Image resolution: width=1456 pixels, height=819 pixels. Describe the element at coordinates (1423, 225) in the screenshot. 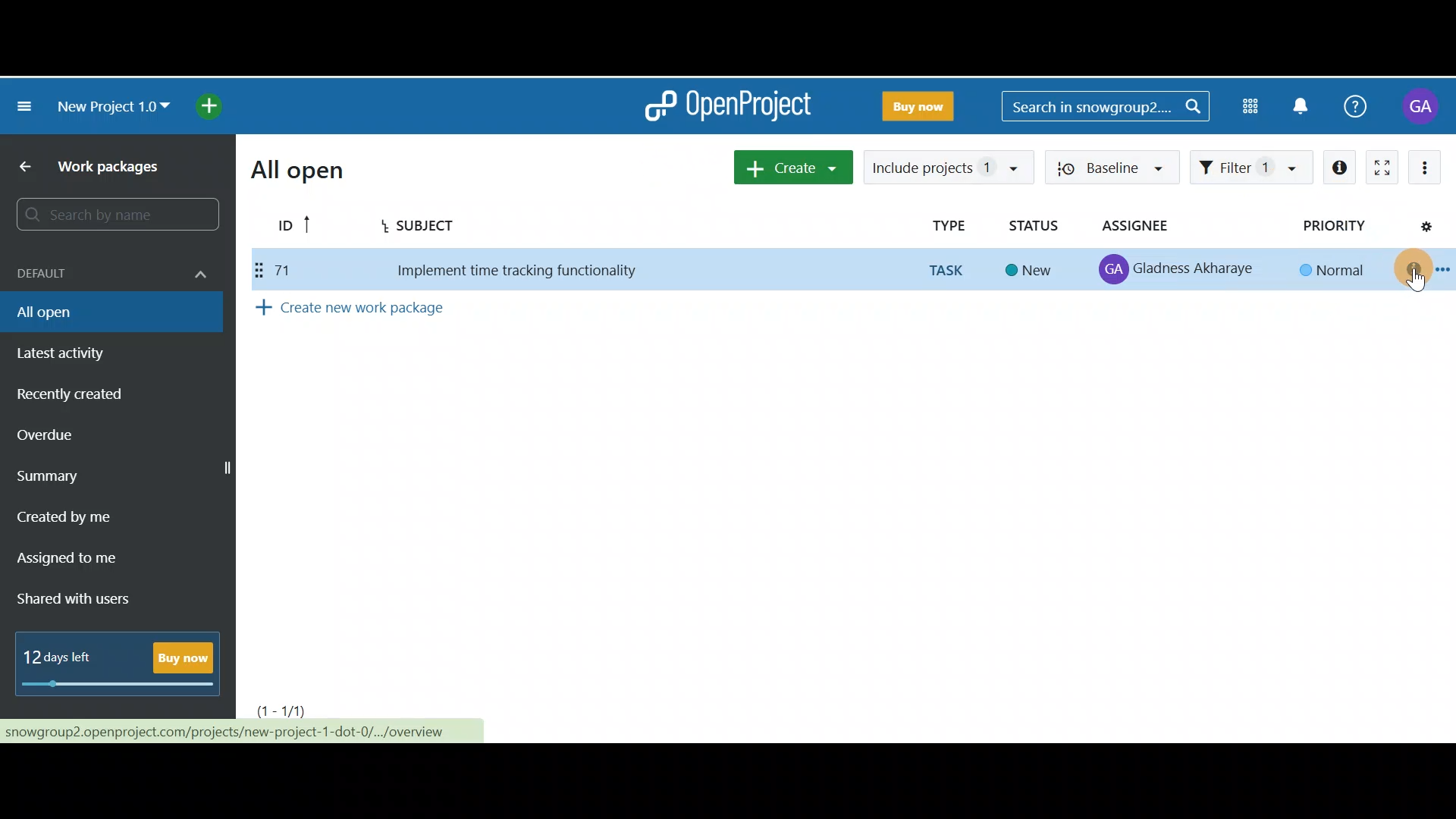

I see `Configure view` at that location.